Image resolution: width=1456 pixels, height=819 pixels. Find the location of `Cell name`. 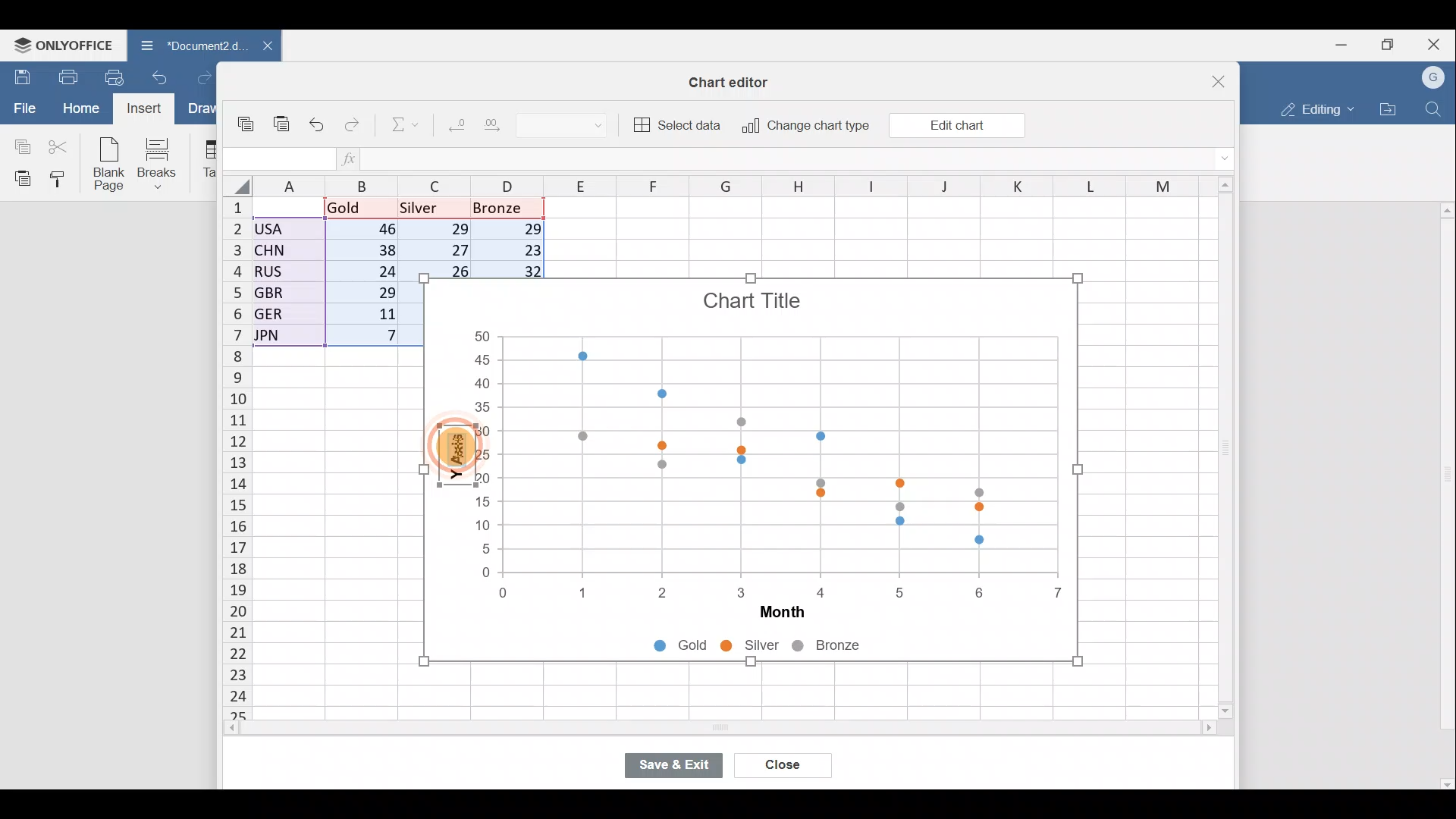

Cell name is located at coordinates (278, 155).